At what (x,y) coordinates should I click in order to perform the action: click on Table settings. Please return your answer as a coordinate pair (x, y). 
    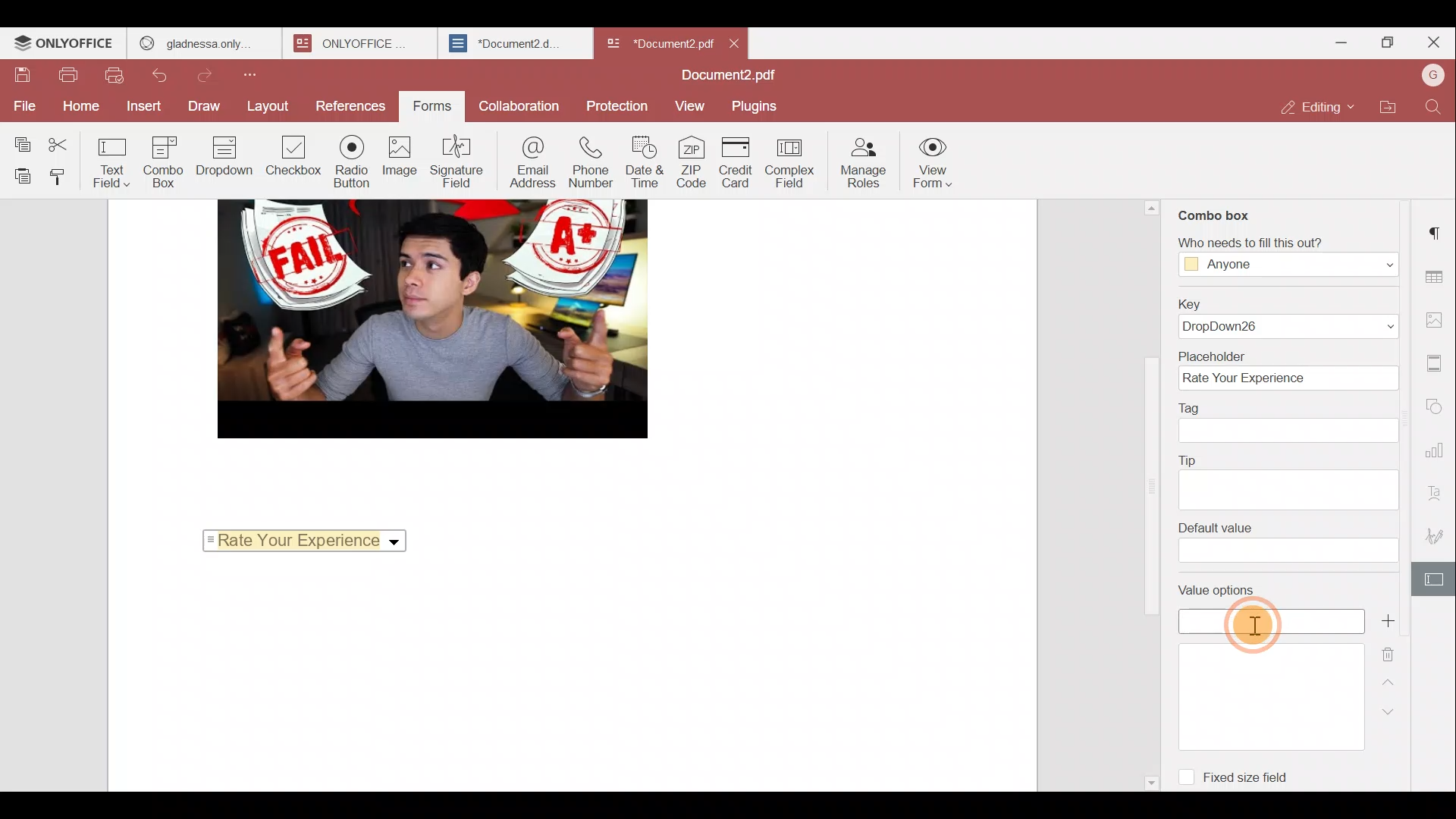
    Looking at the image, I should click on (1439, 277).